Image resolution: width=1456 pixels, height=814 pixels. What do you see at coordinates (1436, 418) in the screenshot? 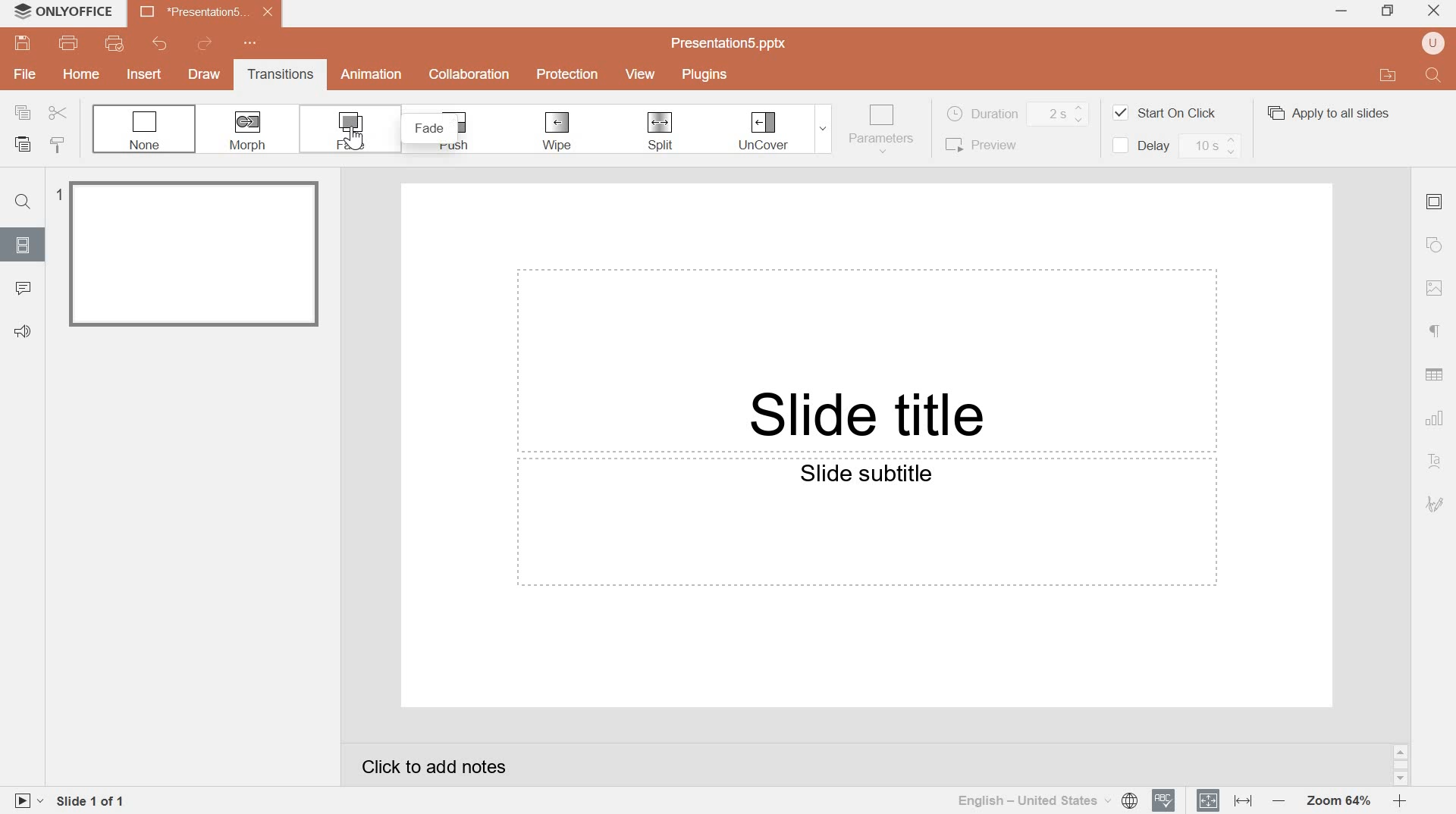
I see `chart` at bounding box center [1436, 418].